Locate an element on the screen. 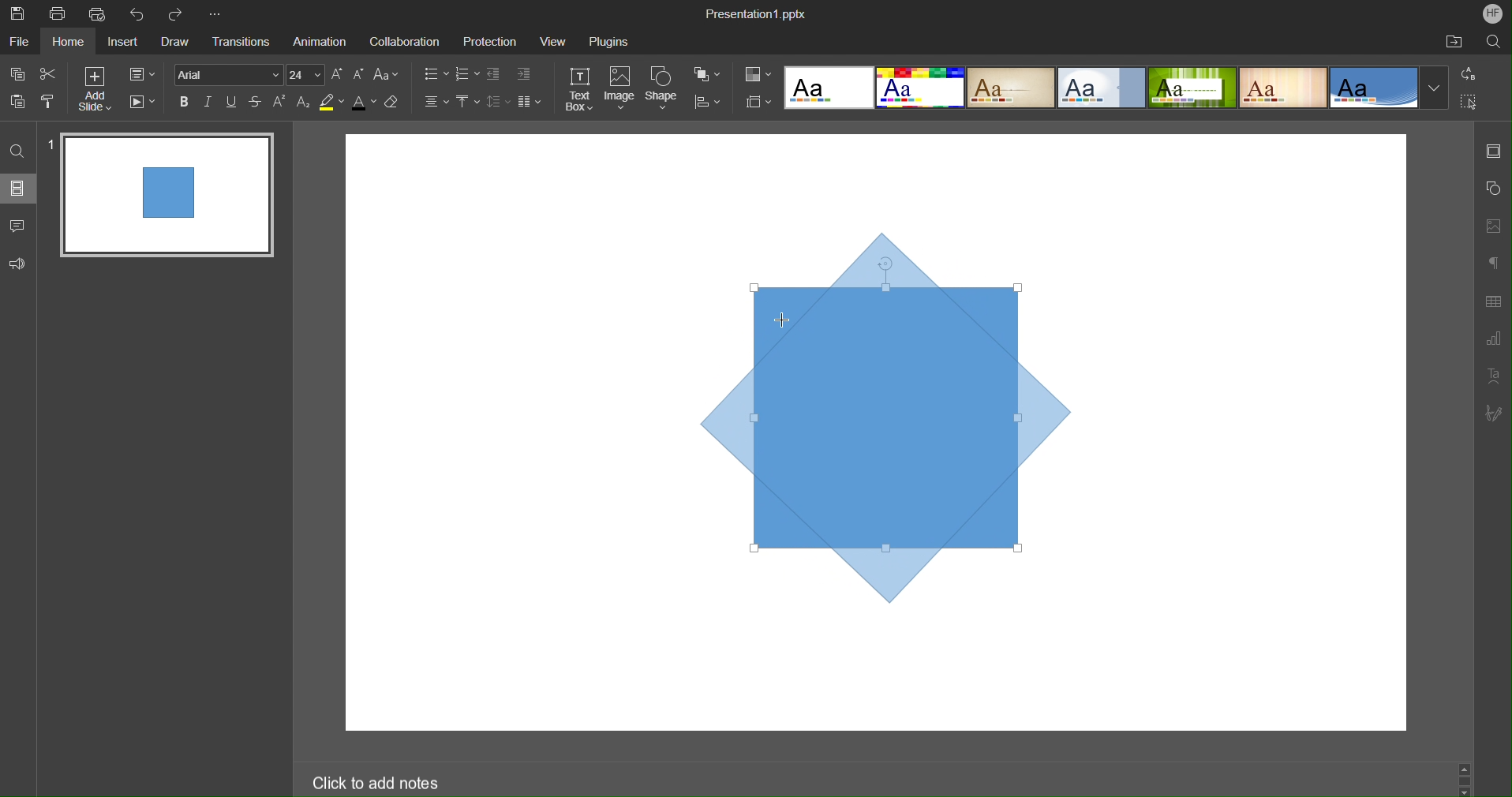 Image resolution: width=1512 pixels, height=797 pixels. Arrange is located at coordinates (709, 74).